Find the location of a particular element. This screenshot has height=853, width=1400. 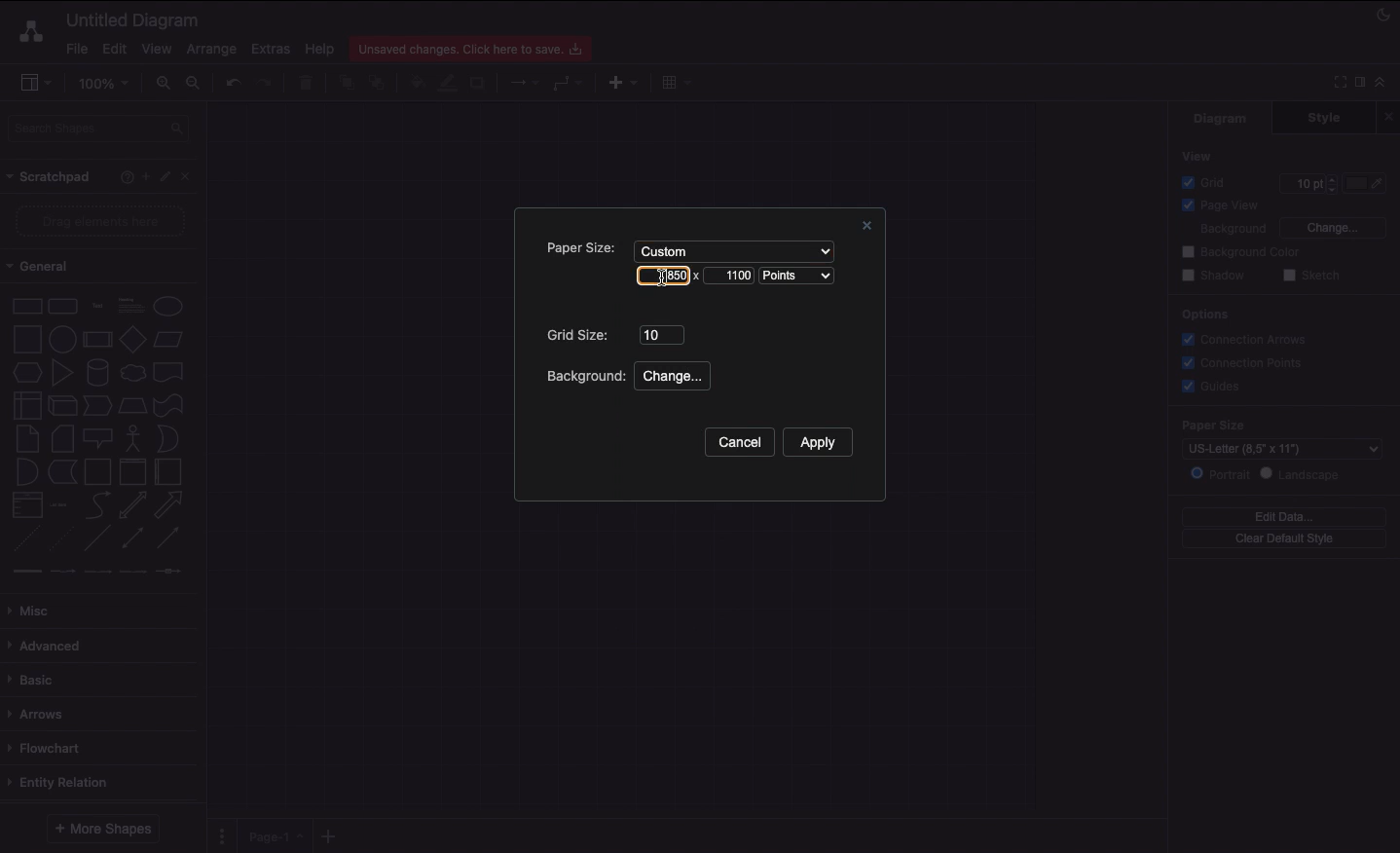

Close is located at coordinates (191, 175).